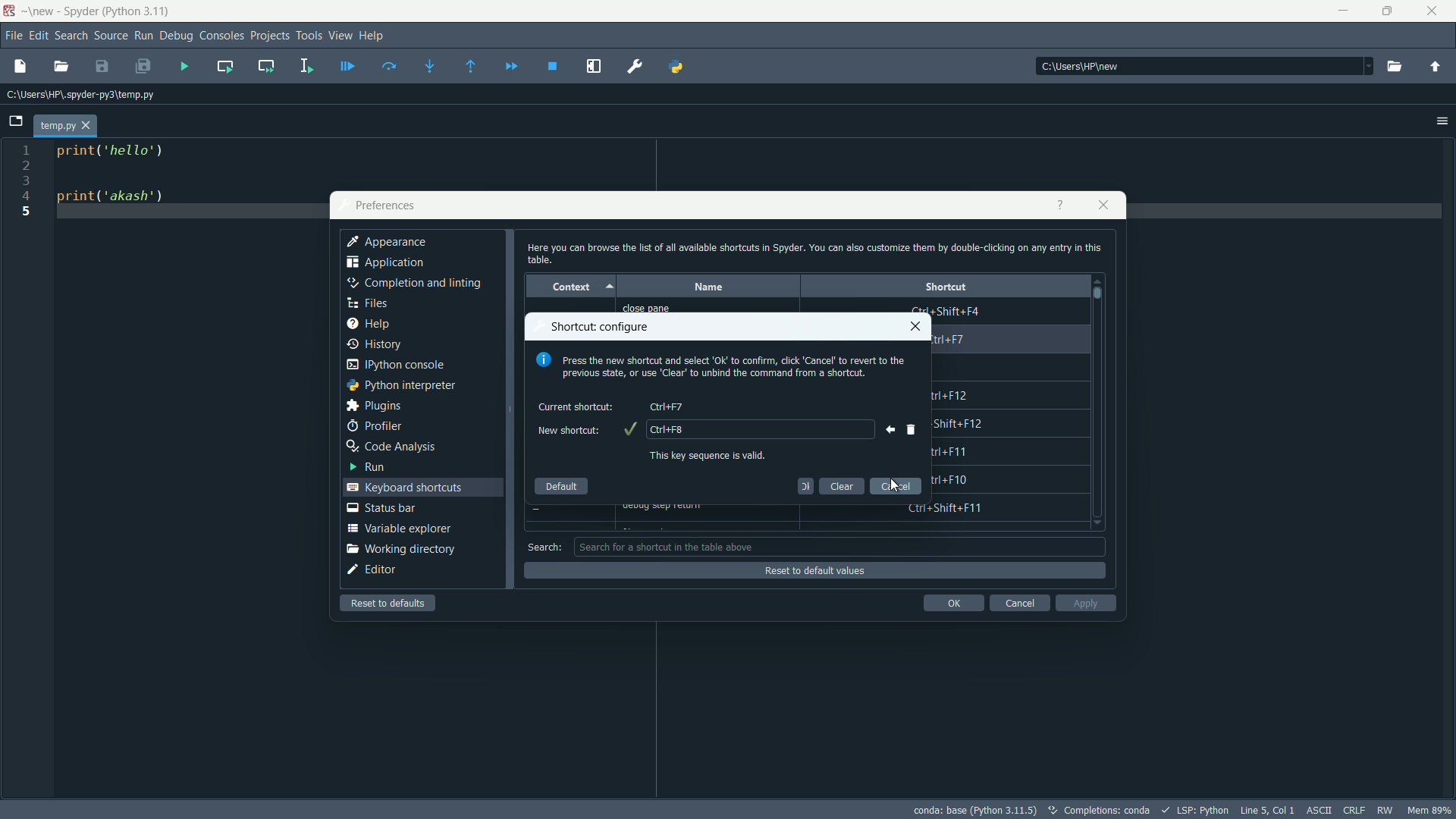  I want to click on browse directory, so click(1394, 67).